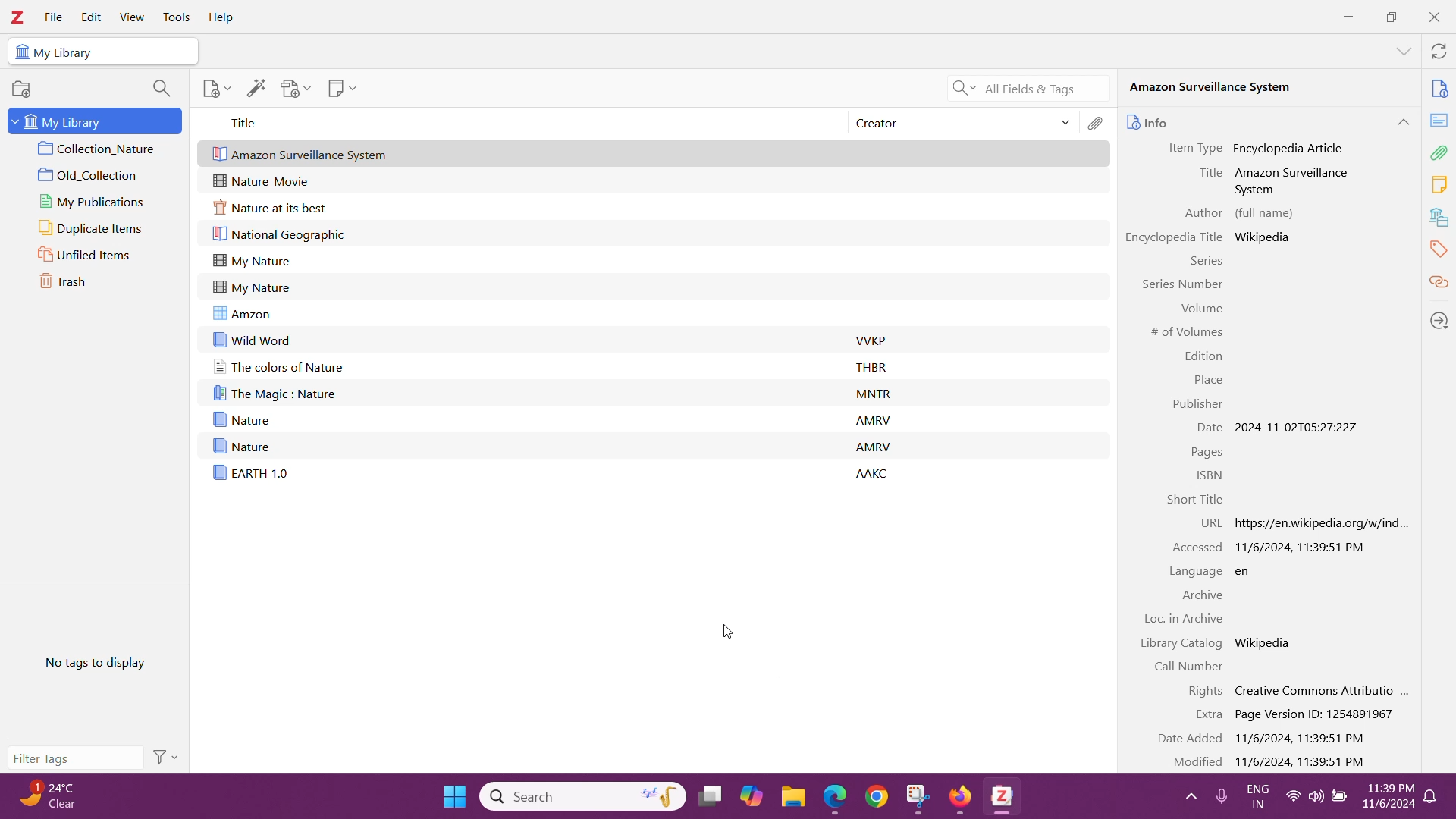 Image resolution: width=1456 pixels, height=819 pixels. What do you see at coordinates (1194, 500) in the screenshot?
I see `Short Title` at bounding box center [1194, 500].